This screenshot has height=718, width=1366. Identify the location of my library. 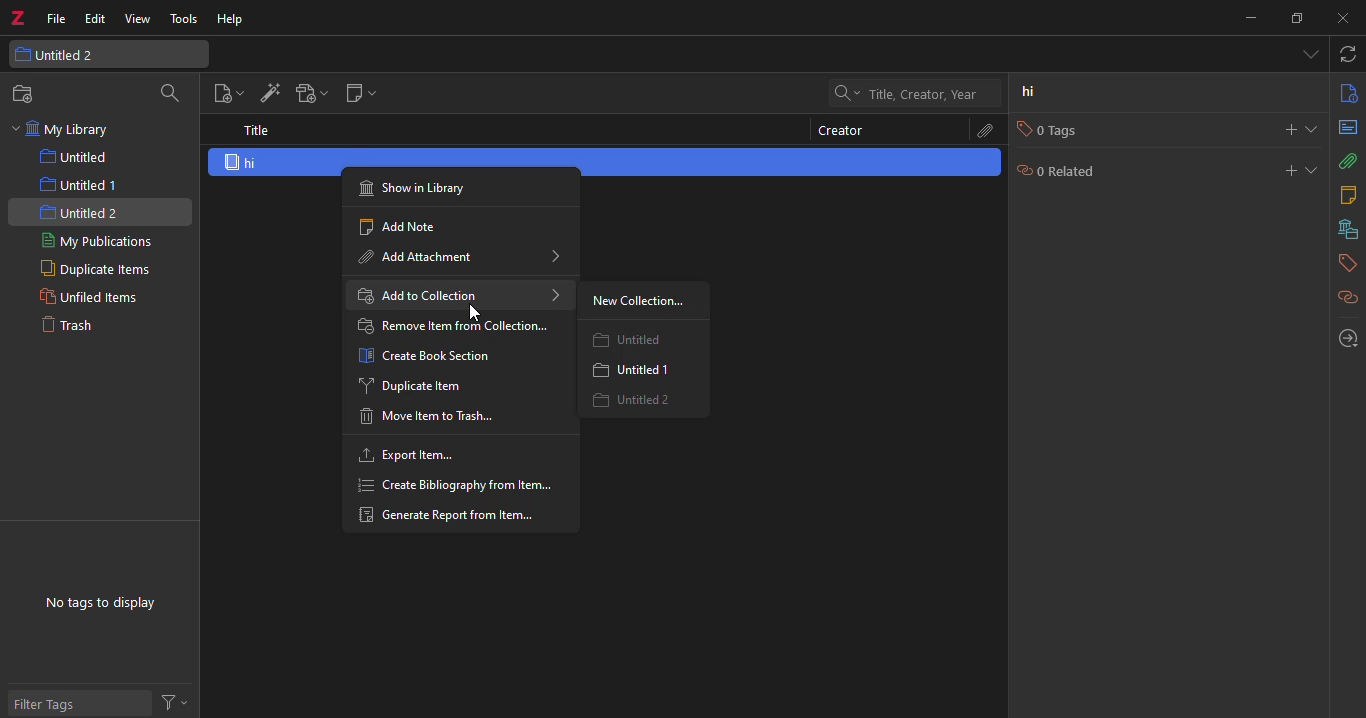
(74, 130).